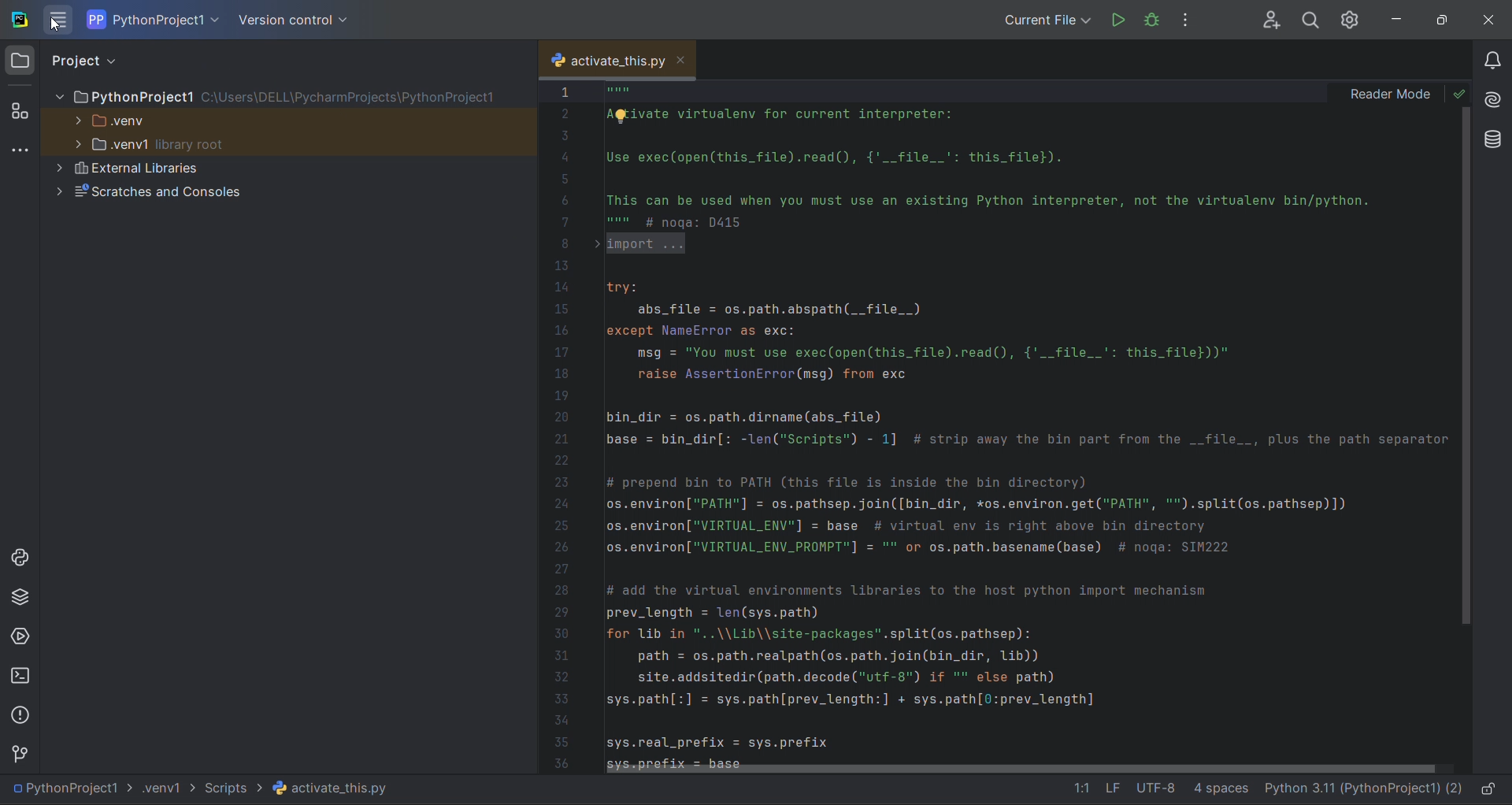 The height and width of the screenshot is (805, 1512). What do you see at coordinates (1495, 139) in the screenshot?
I see `database` at bounding box center [1495, 139].